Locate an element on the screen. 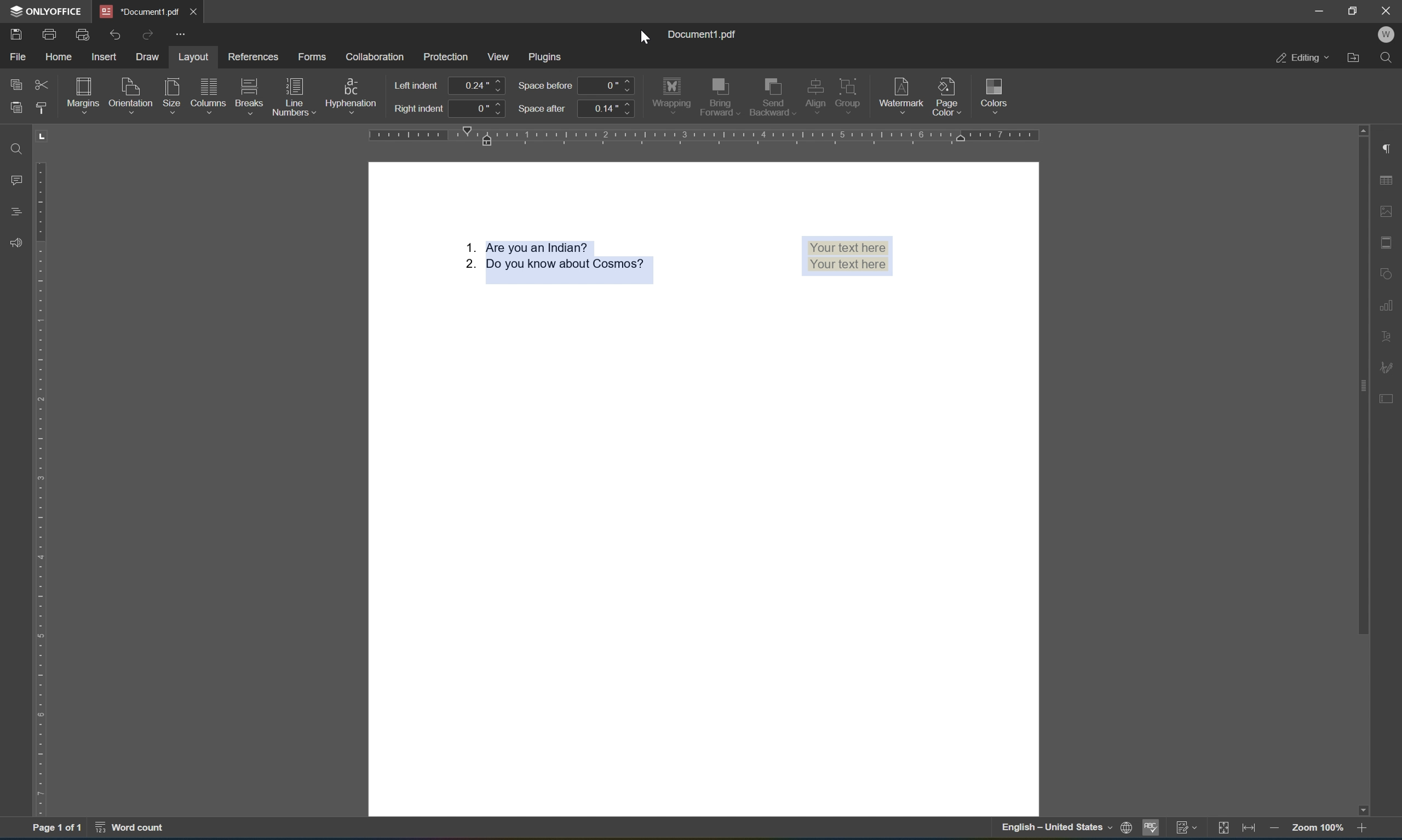 The width and height of the screenshot is (1402, 840). Your text here is located at coordinates (848, 257).